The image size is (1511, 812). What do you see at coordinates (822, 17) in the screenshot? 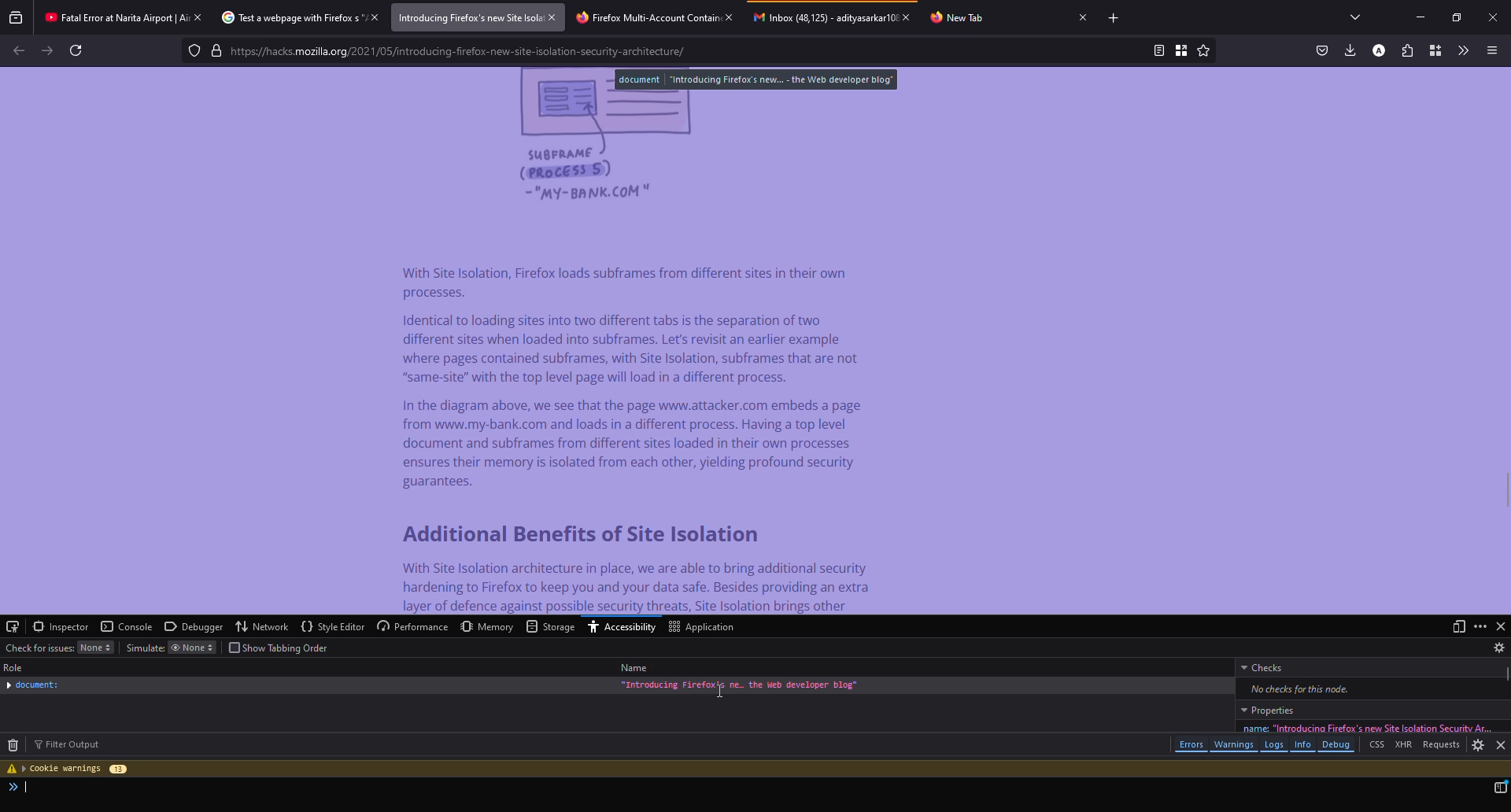
I see `Inbox (48,125) - adityasarkar1` at bounding box center [822, 17].